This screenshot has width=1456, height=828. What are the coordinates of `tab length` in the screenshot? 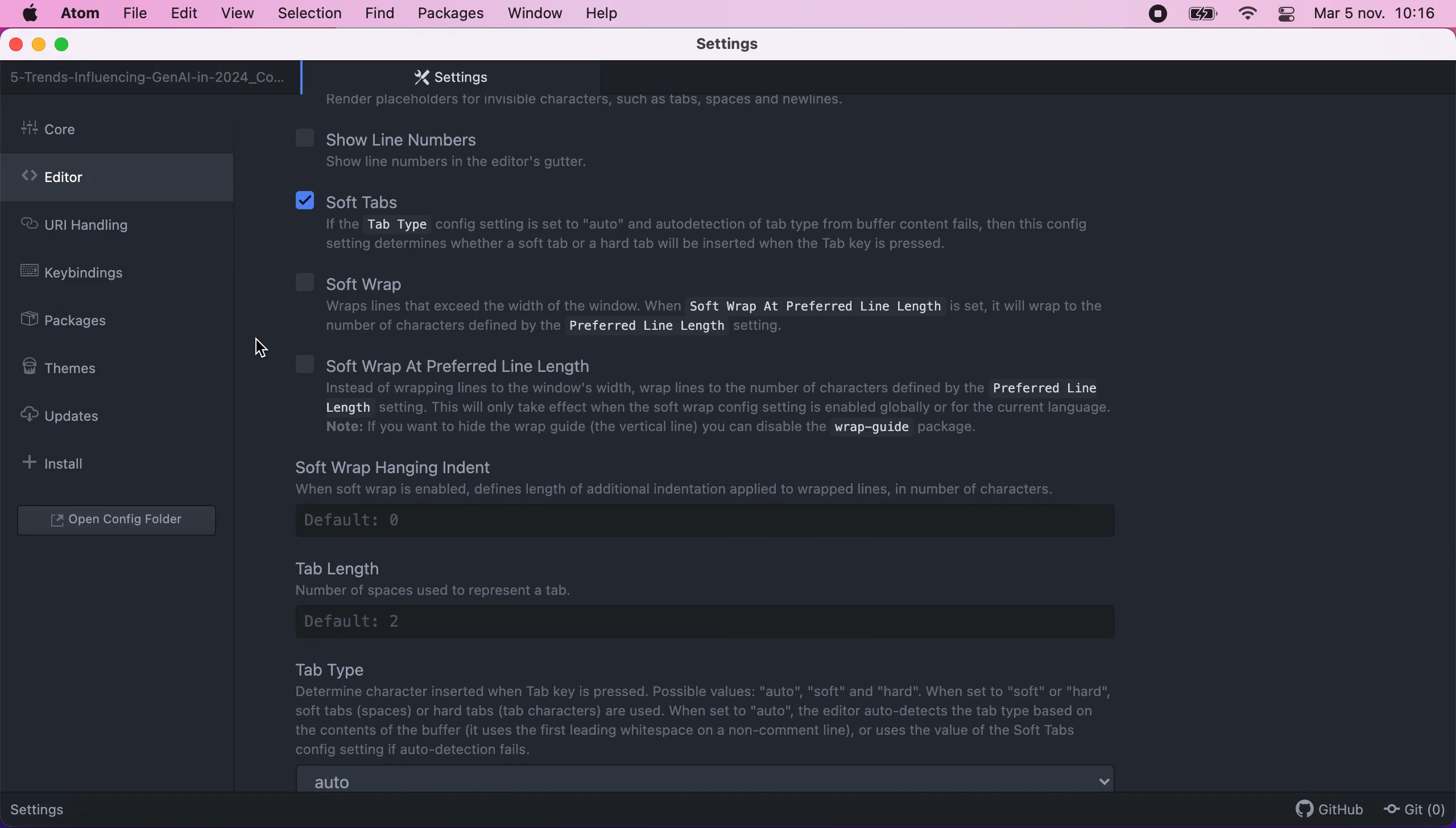 It's located at (722, 596).